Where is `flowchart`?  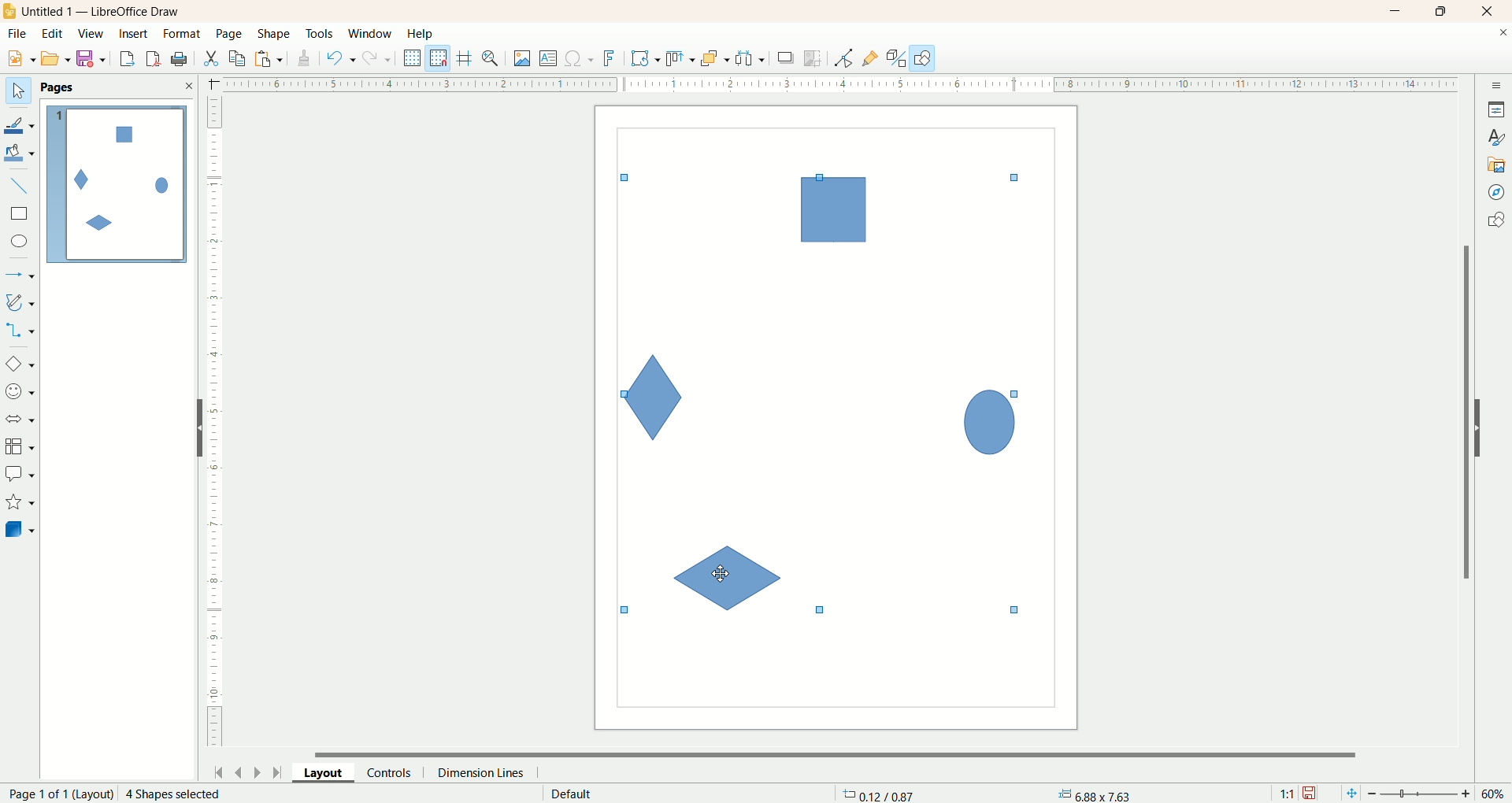 flowchart is located at coordinates (20, 447).